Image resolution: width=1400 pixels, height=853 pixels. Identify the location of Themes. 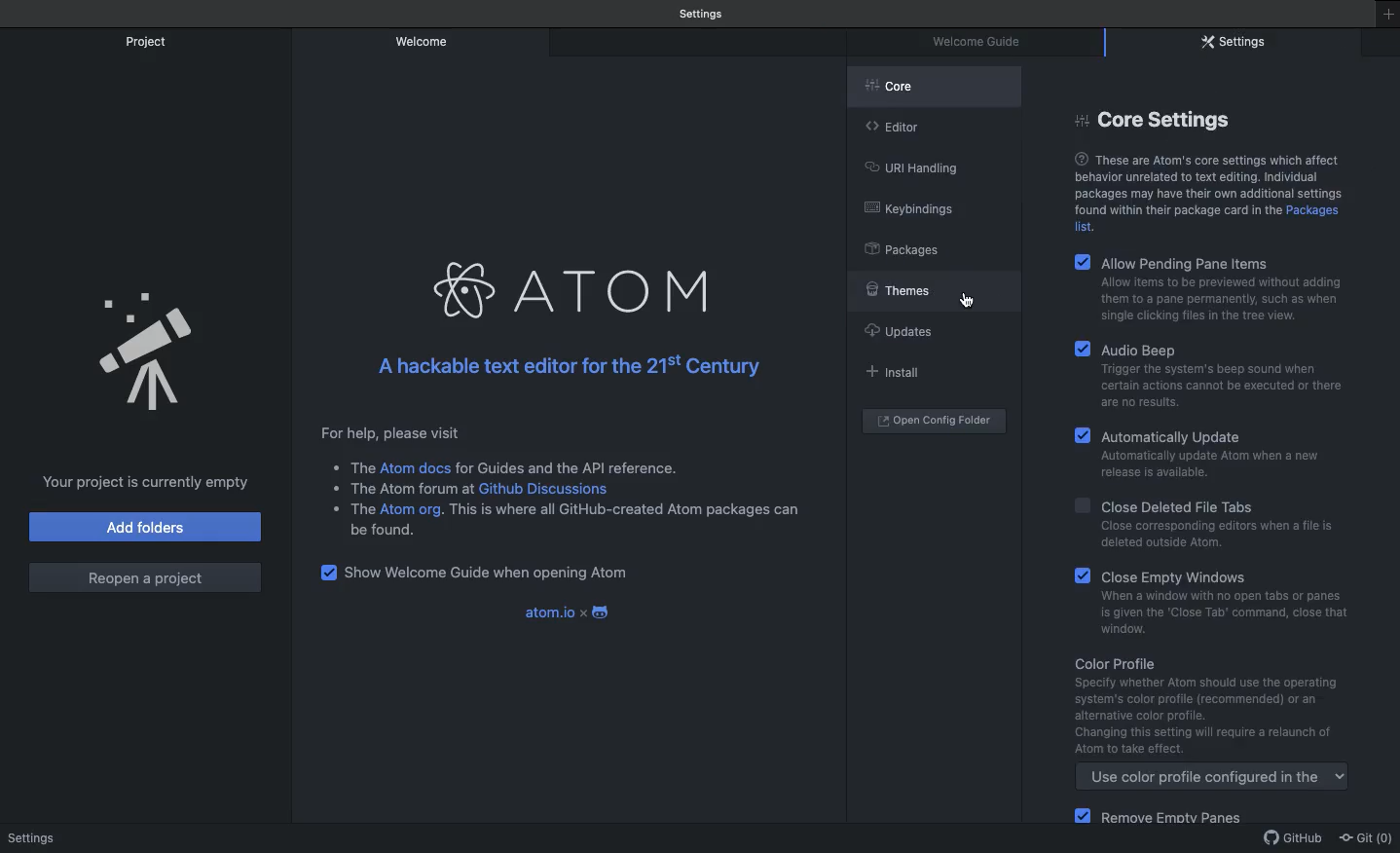
(931, 289).